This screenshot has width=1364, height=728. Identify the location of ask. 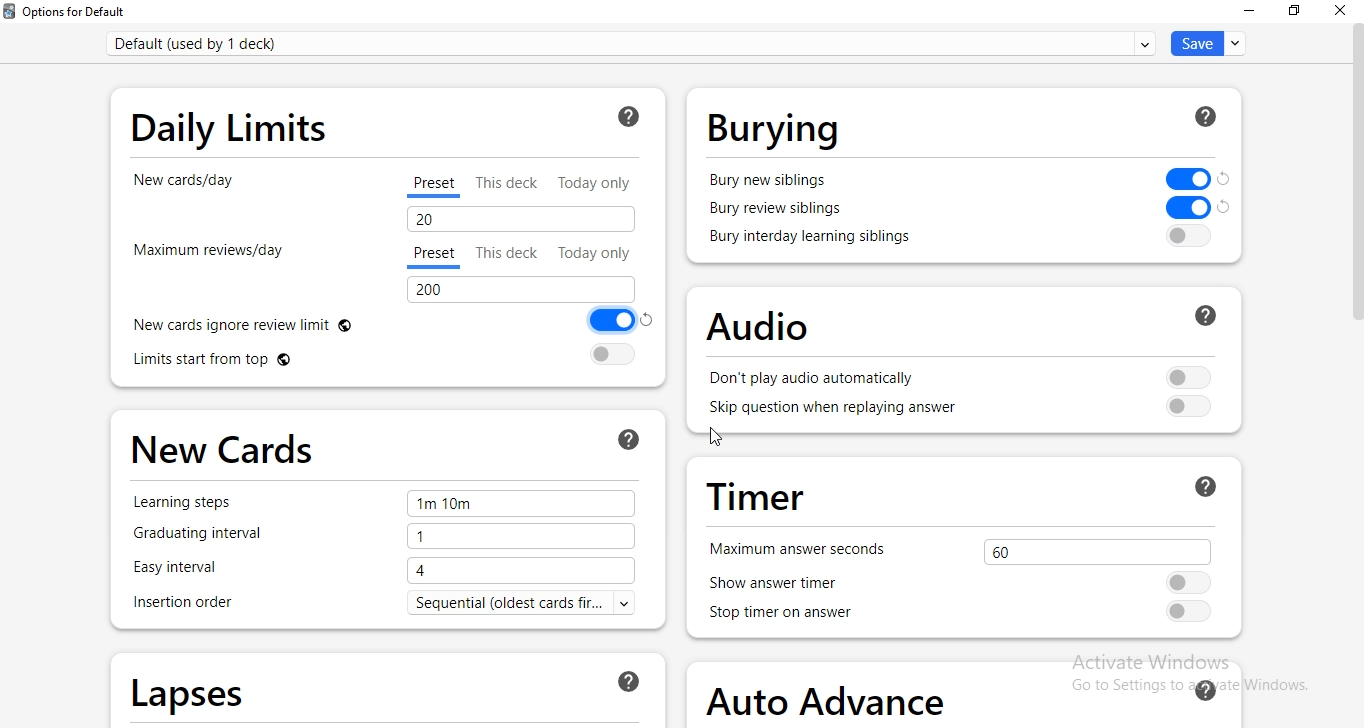
(628, 119).